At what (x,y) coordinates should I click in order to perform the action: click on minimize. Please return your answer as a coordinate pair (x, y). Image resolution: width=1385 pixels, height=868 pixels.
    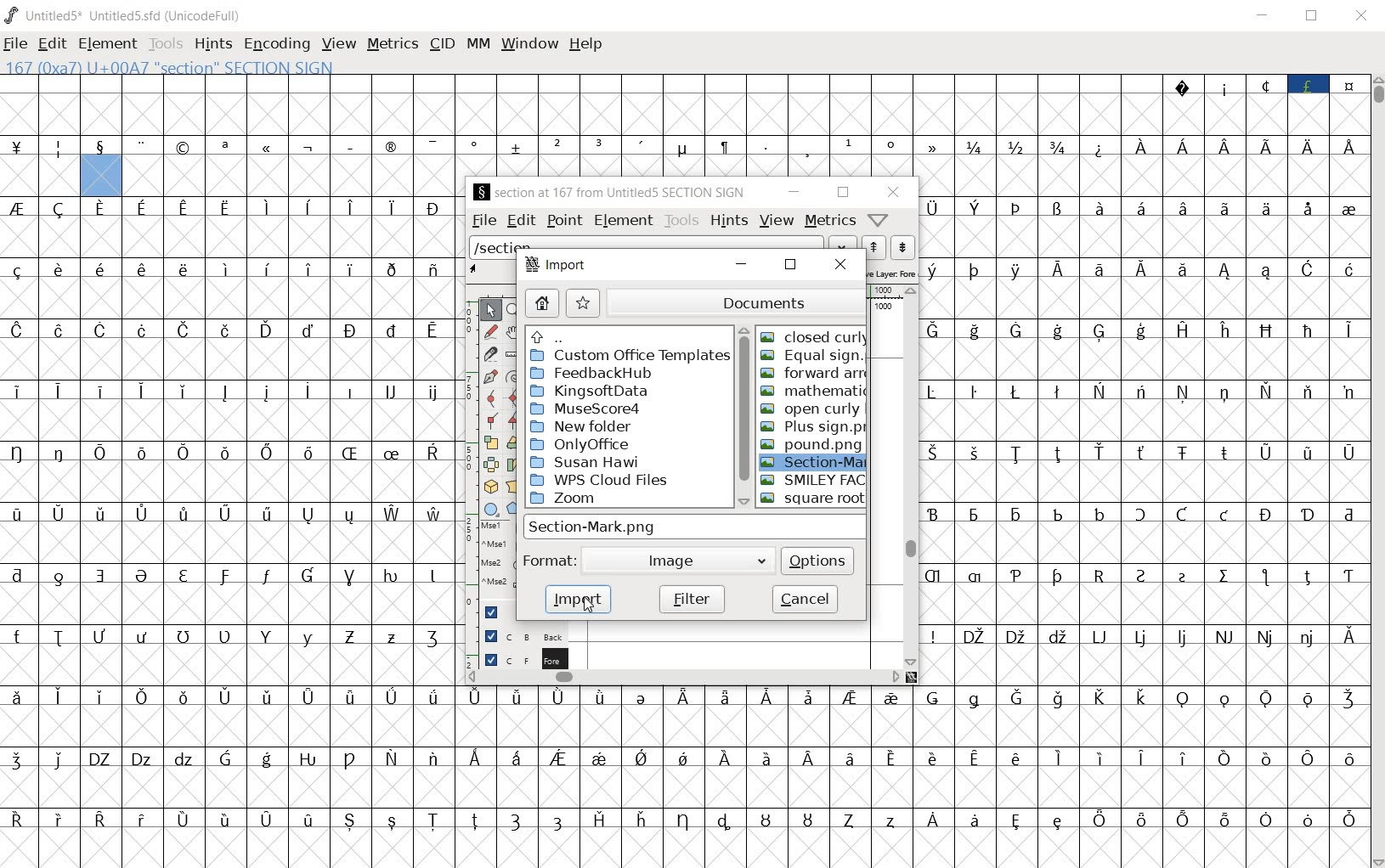
    Looking at the image, I should click on (739, 265).